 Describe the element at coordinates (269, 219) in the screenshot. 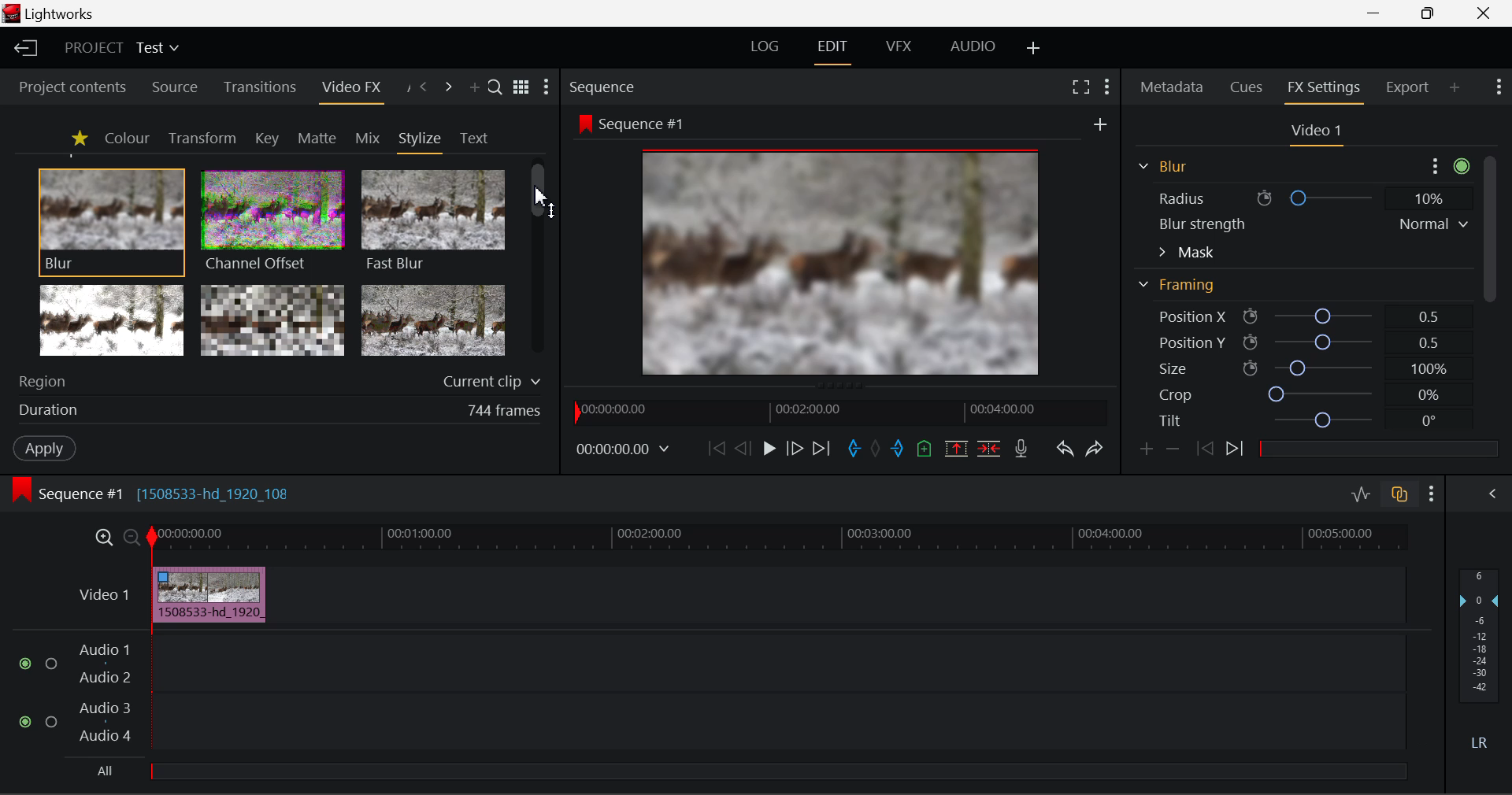

I see `Channel Offset` at that location.